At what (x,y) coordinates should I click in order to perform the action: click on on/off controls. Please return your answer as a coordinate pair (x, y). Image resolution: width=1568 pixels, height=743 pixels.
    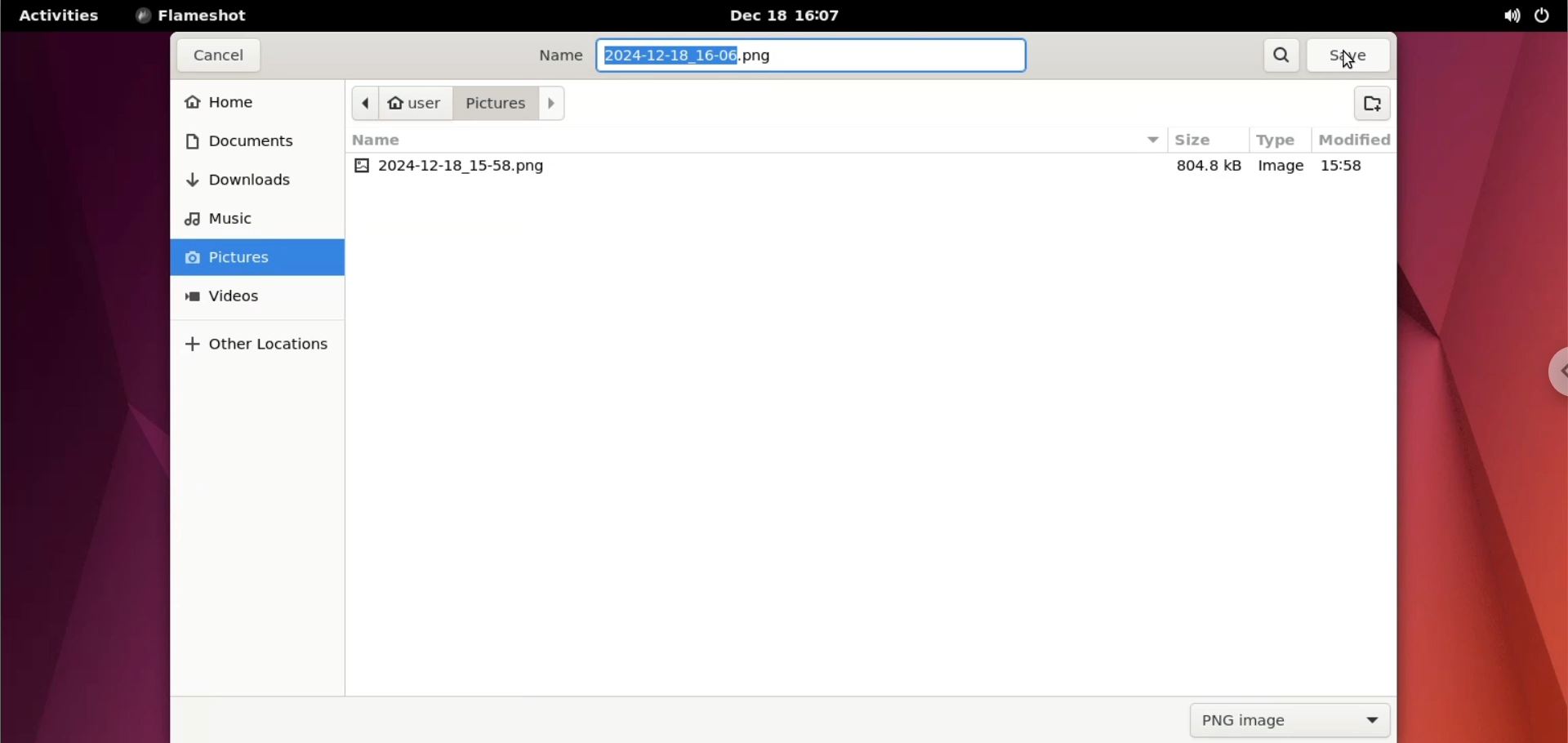
    Looking at the image, I should click on (1544, 16).